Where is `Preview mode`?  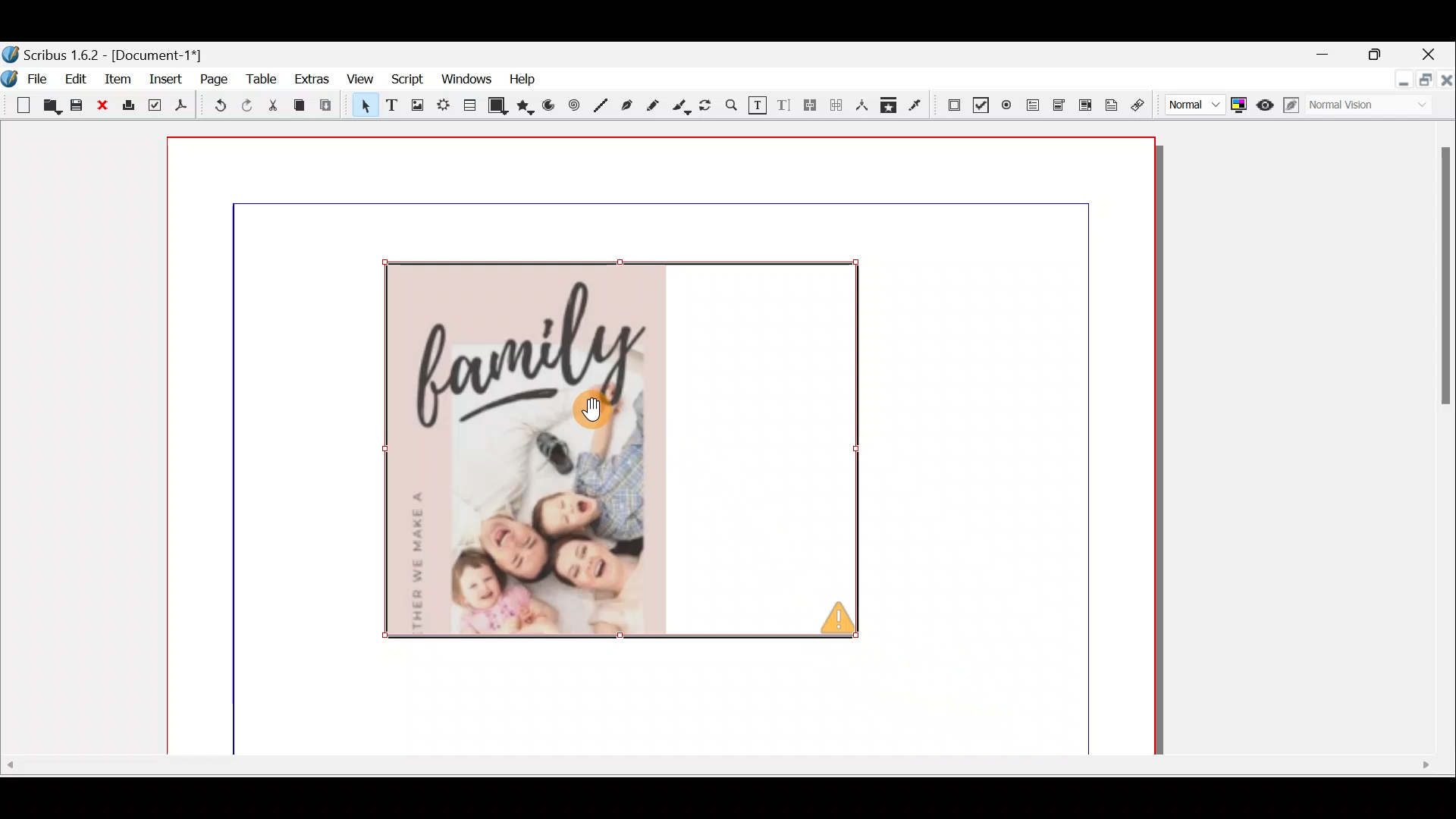
Preview mode is located at coordinates (1262, 102).